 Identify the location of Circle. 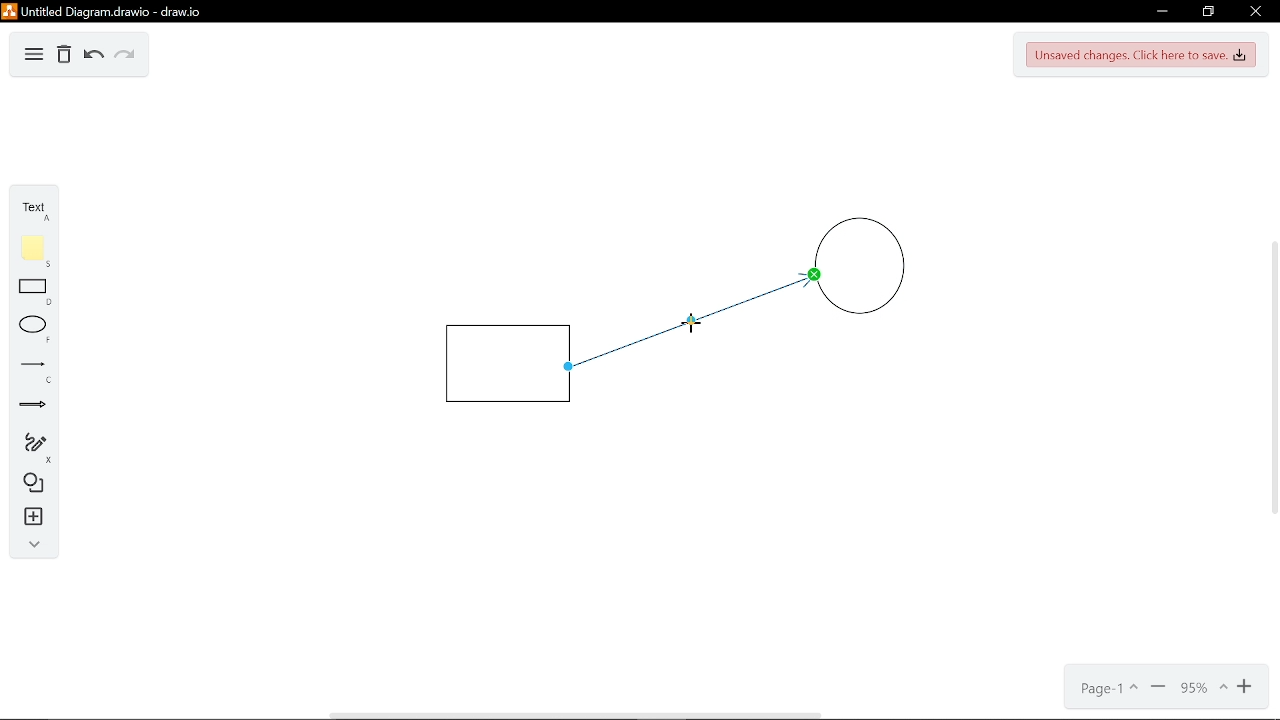
(860, 273).